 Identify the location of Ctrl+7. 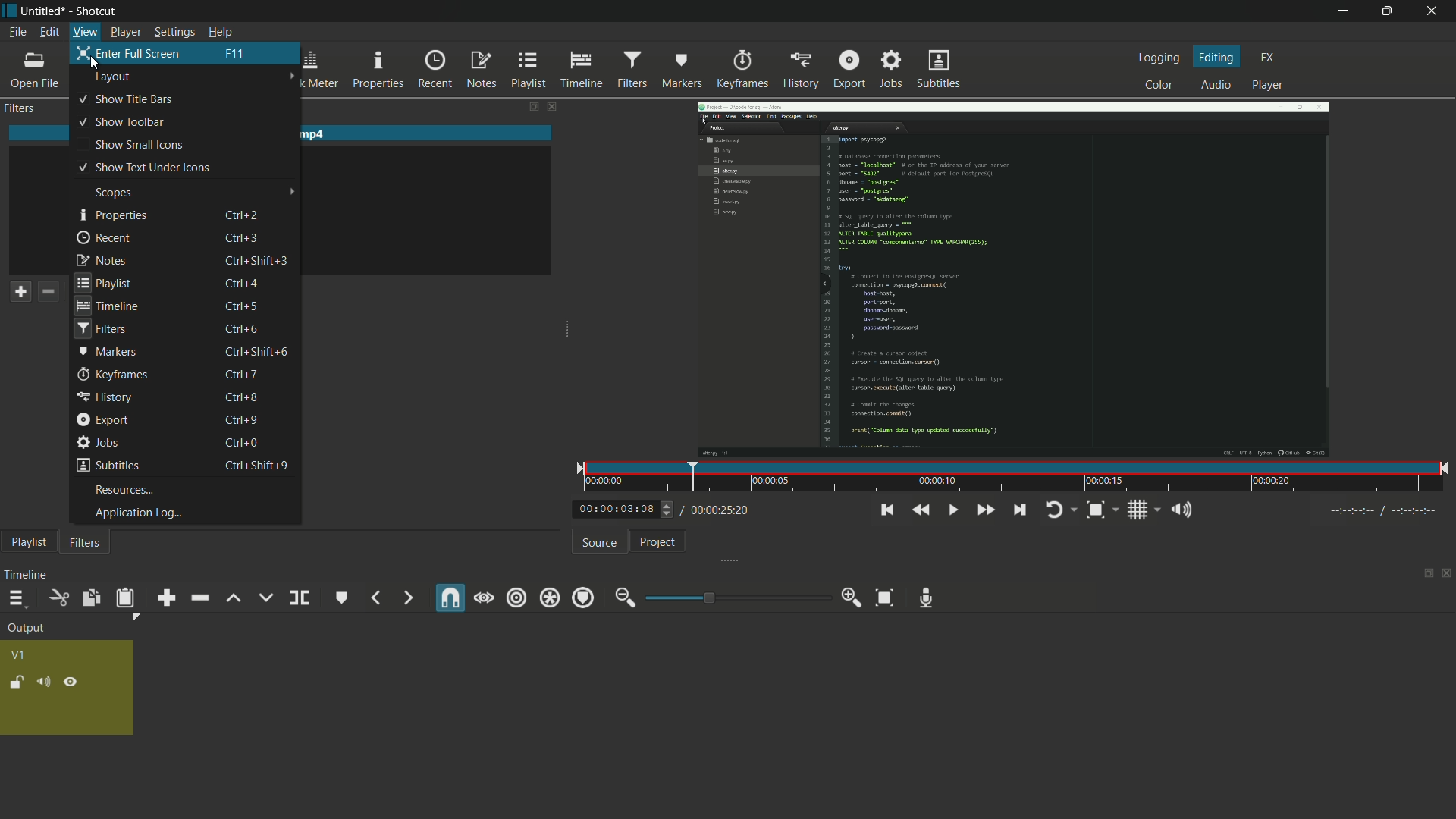
(242, 374).